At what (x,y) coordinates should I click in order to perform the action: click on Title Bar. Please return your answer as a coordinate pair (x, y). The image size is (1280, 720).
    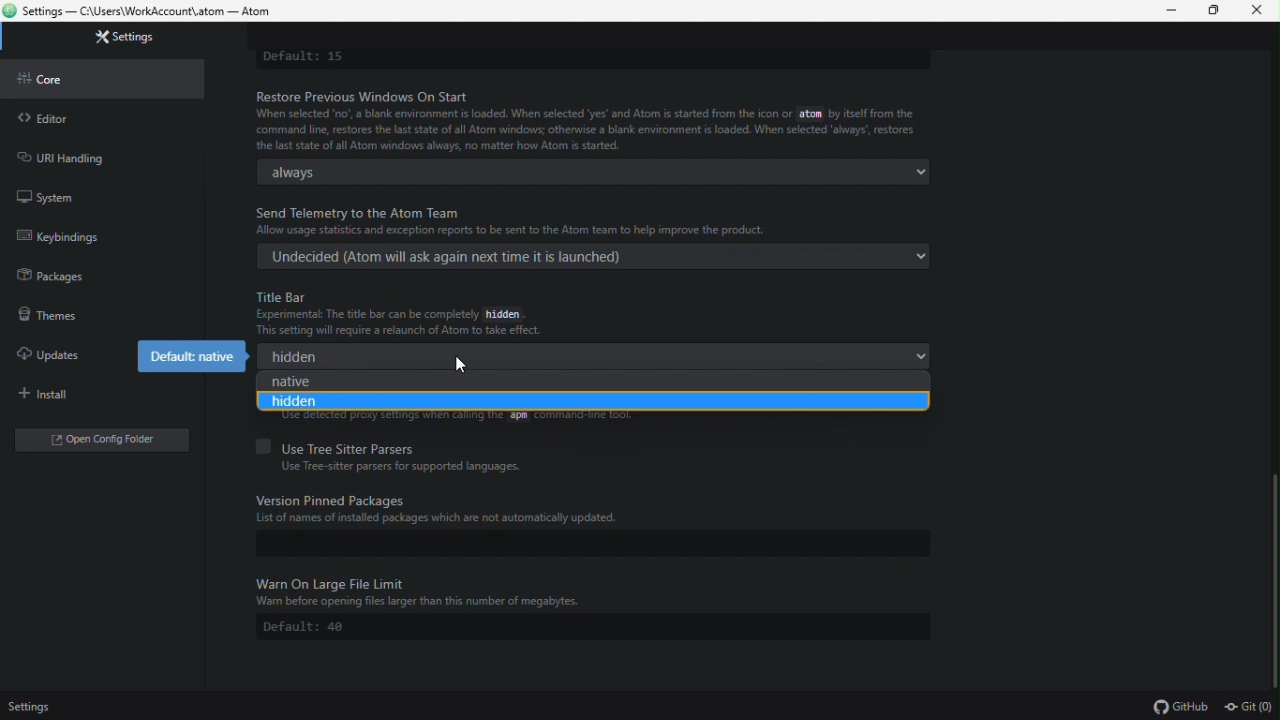
    Looking at the image, I should click on (284, 296).